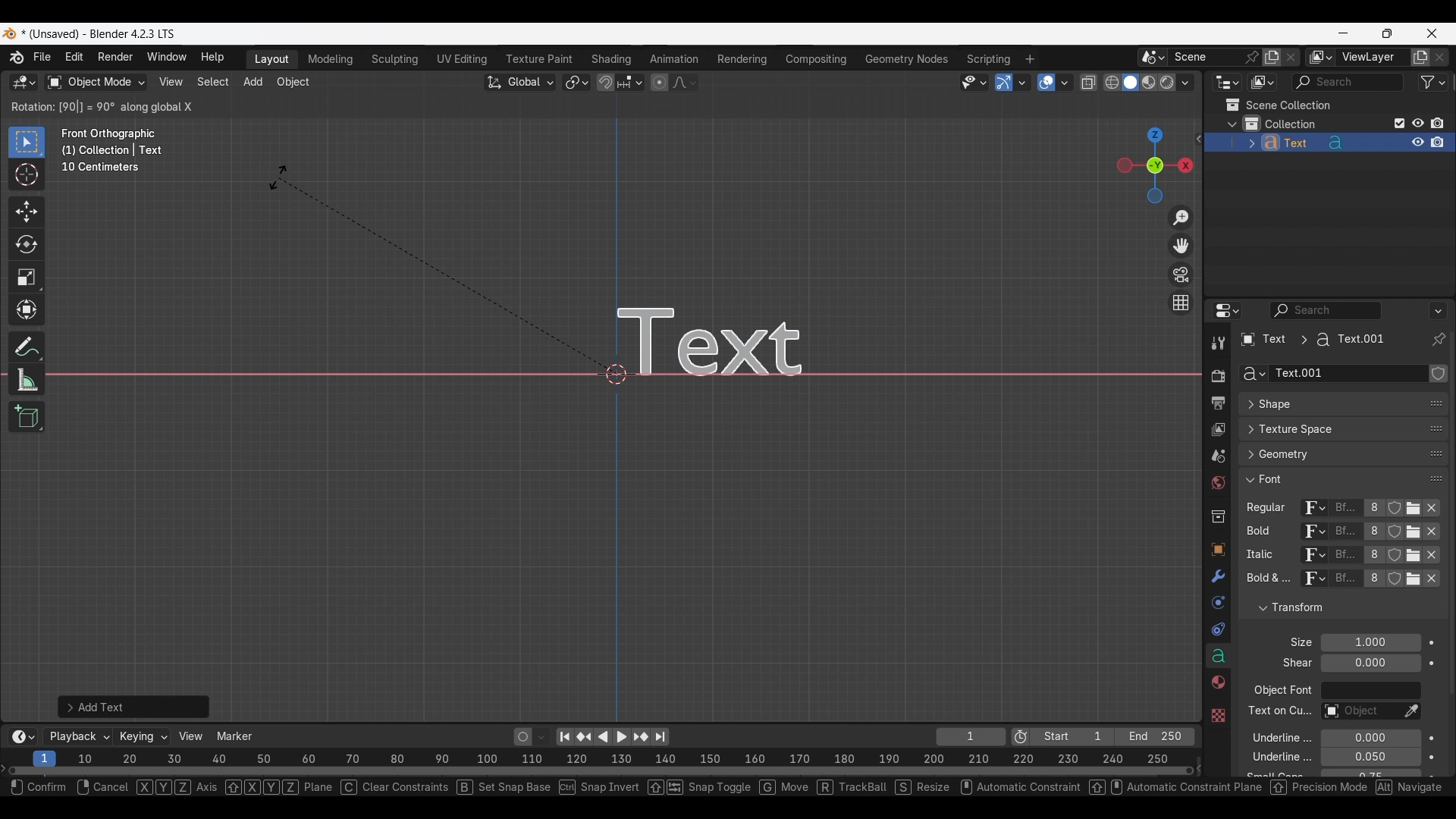  Describe the element at coordinates (27, 347) in the screenshot. I see `Annotate` at that location.